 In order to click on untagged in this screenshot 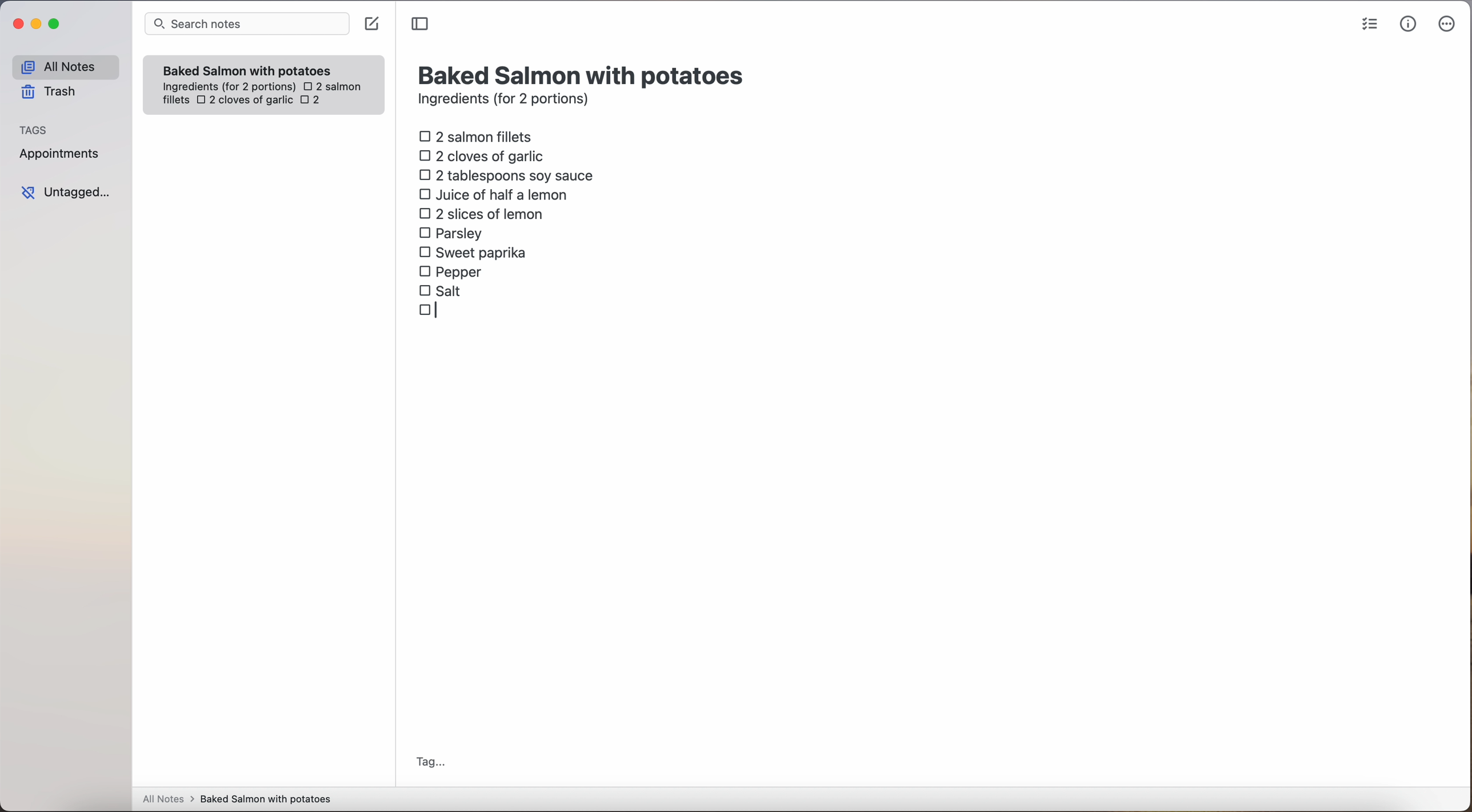, I will do `click(67, 192)`.